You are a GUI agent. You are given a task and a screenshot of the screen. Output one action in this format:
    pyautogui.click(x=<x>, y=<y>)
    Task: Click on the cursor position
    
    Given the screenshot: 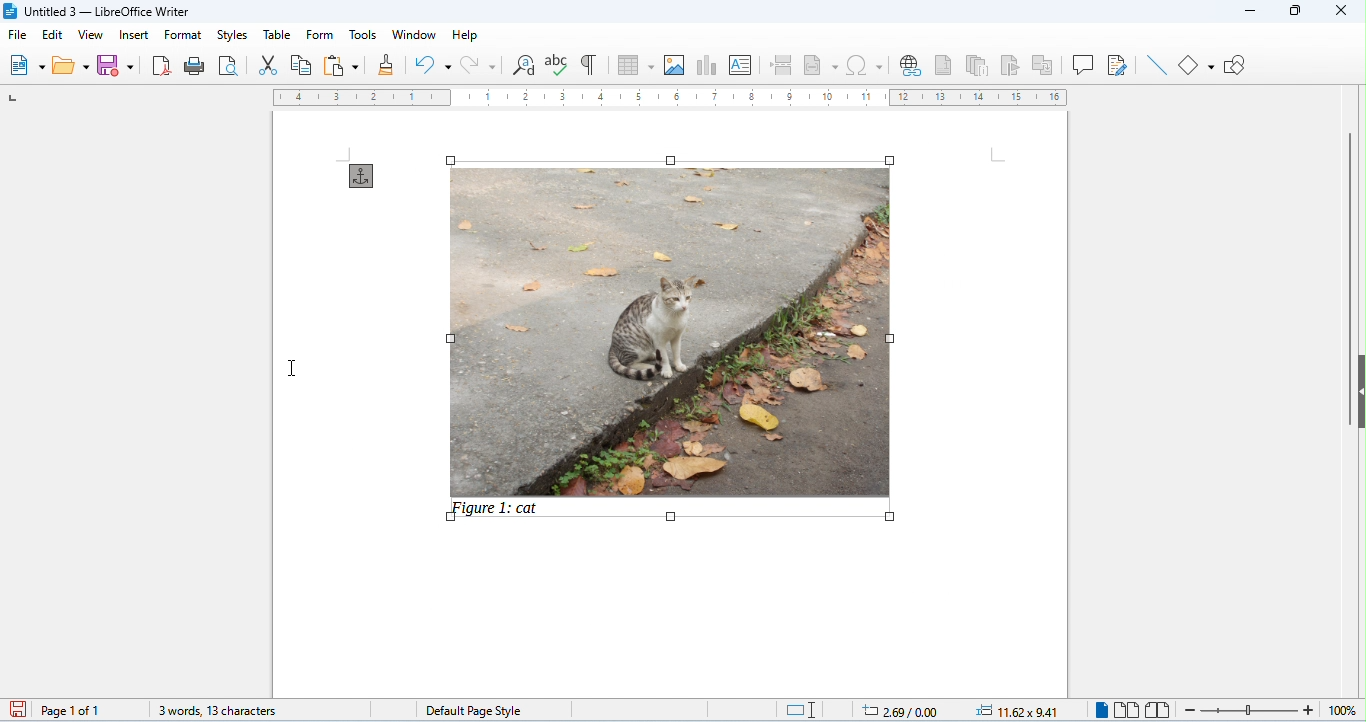 What is the action you would take?
    pyautogui.click(x=891, y=709)
    